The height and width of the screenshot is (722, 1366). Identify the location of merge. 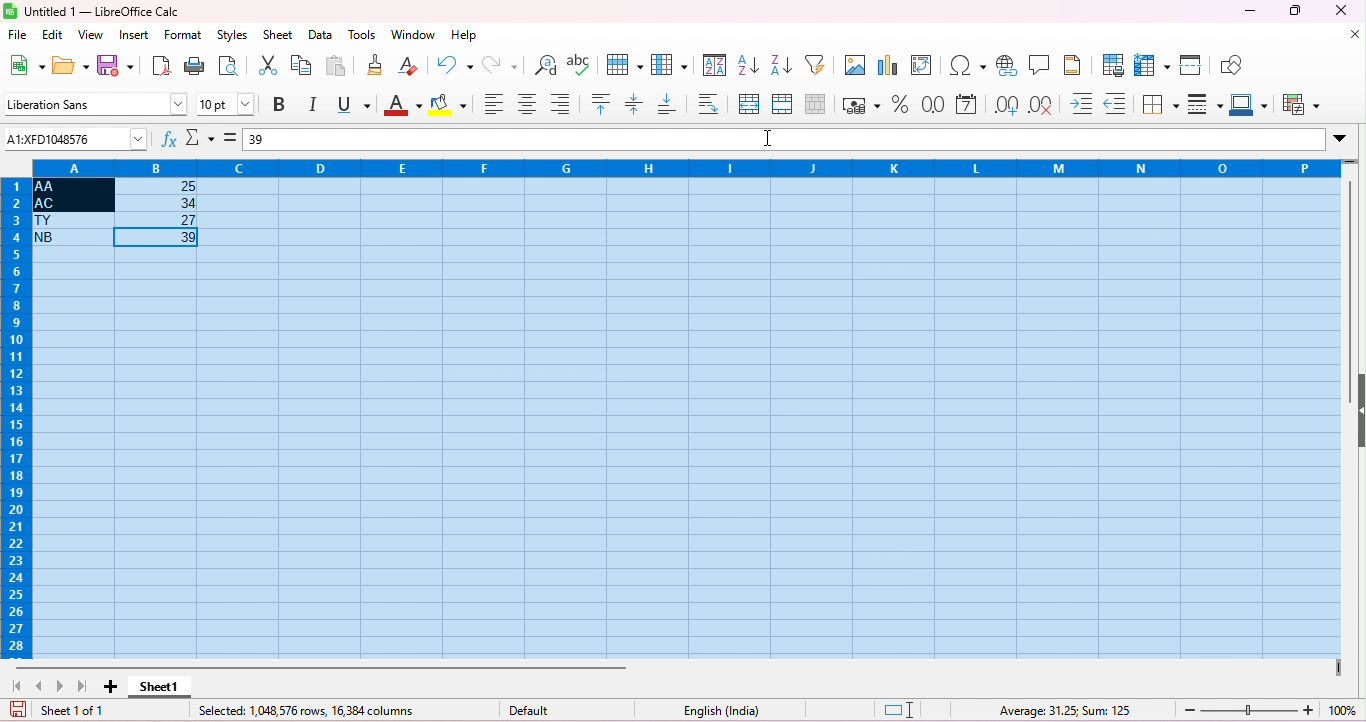
(782, 103).